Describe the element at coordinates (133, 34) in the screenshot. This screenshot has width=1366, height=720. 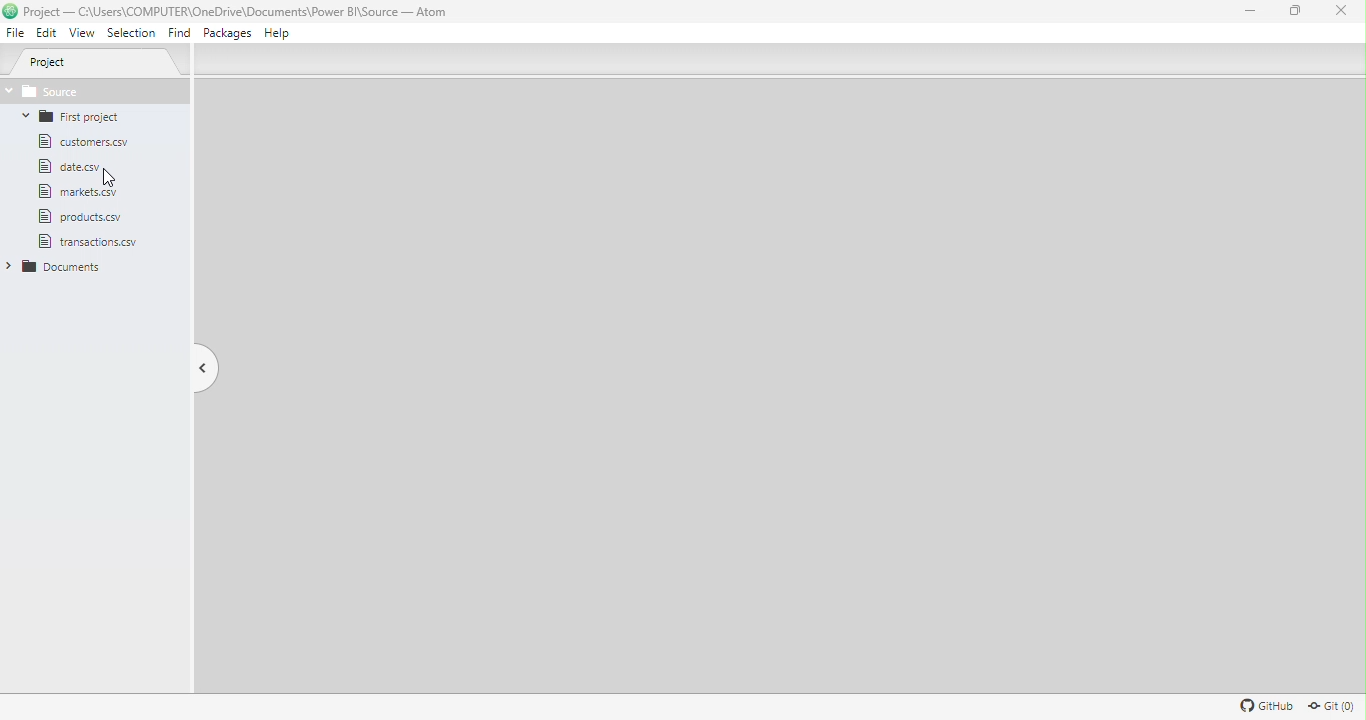
I see `Selection` at that location.